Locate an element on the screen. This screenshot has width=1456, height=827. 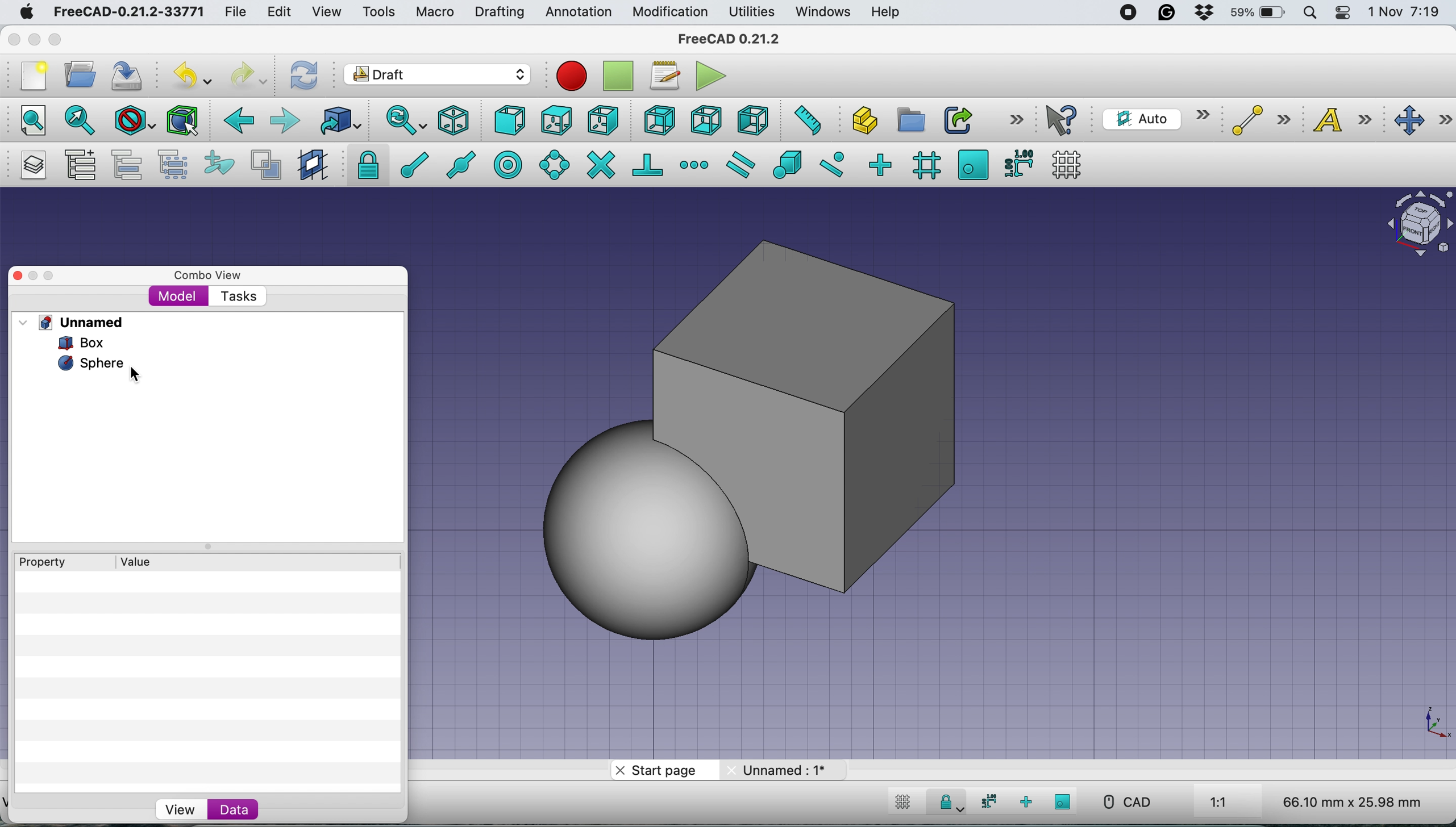
snap grid is located at coordinates (925, 165).